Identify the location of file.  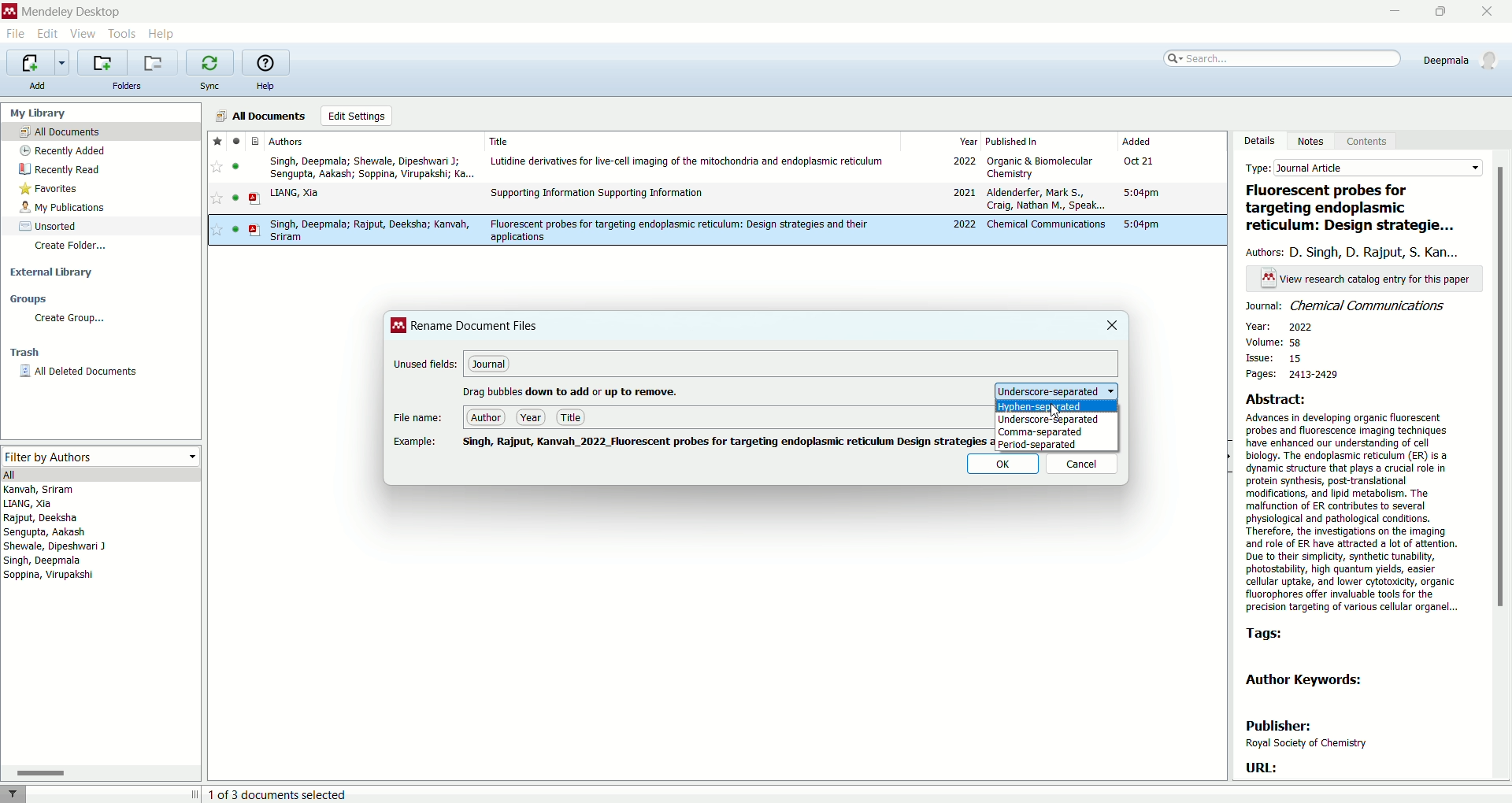
(17, 34).